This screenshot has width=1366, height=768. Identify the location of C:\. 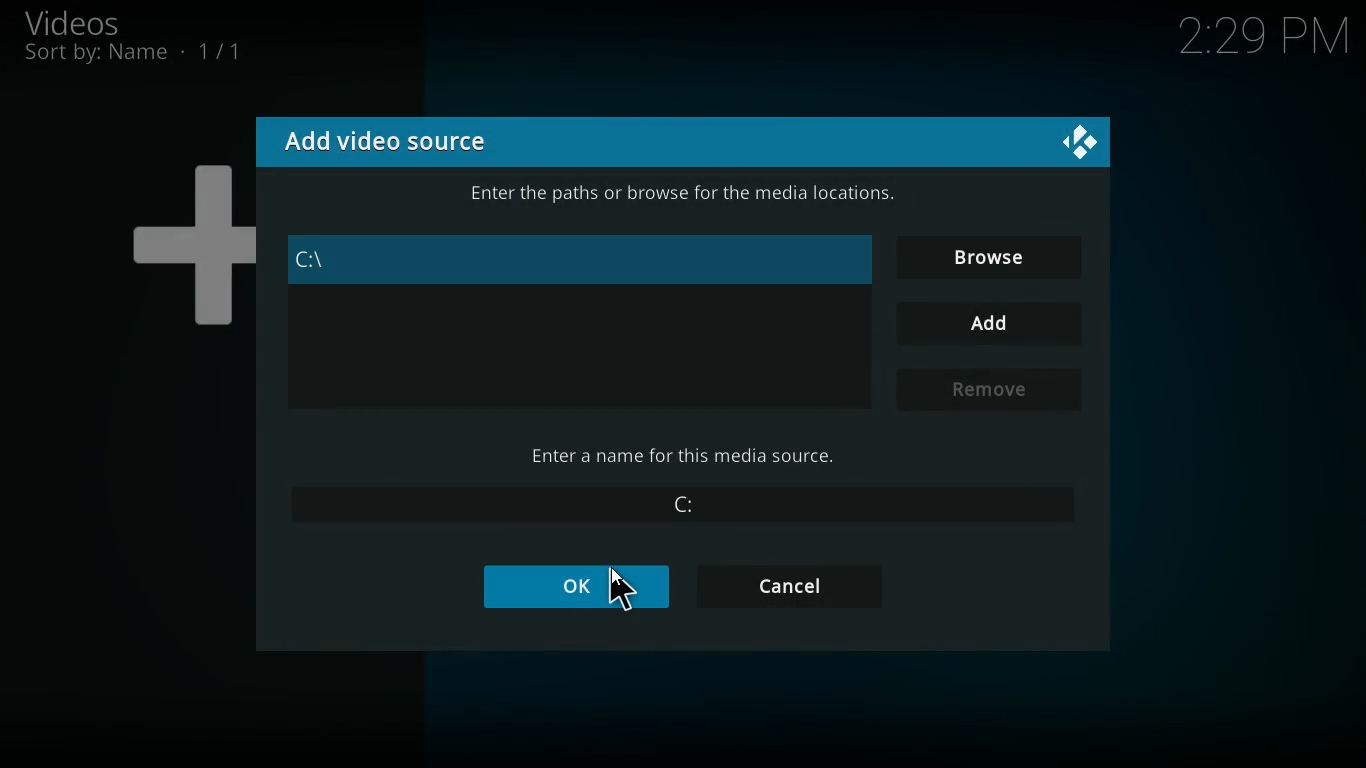
(569, 259).